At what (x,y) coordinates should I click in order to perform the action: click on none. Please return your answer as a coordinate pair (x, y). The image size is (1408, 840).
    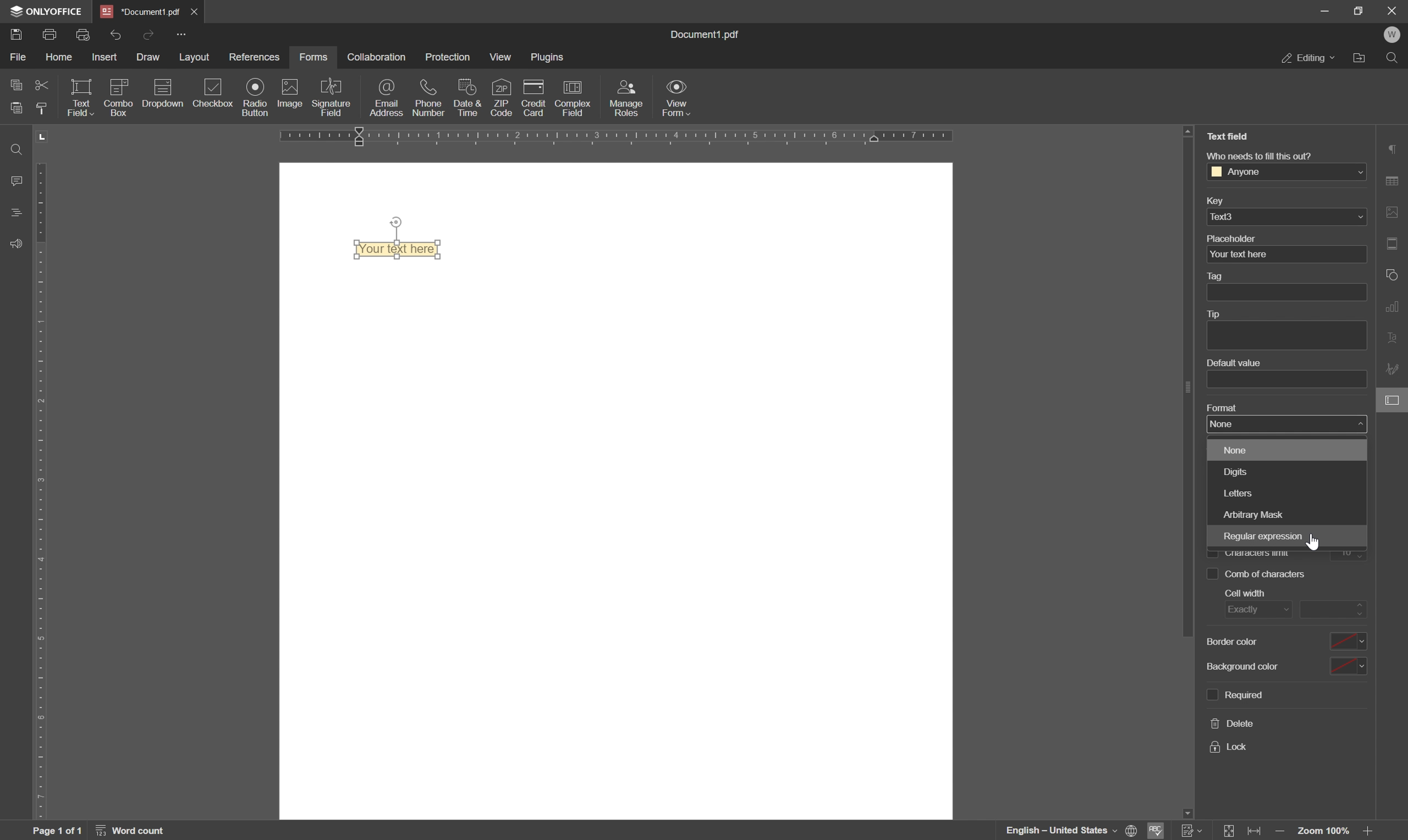
    Looking at the image, I should click on (1235, 451).